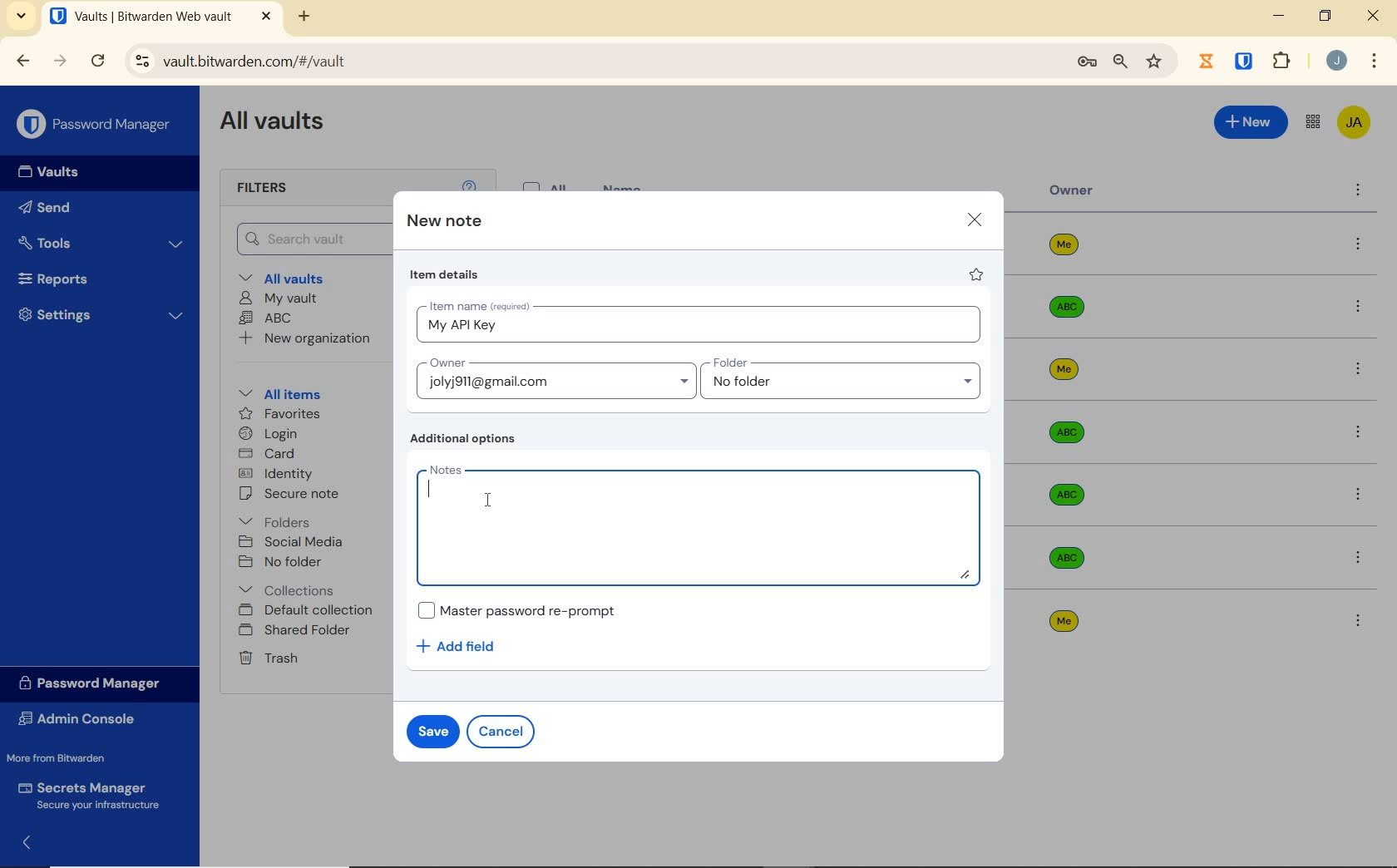 This screenshot has height=868, width=1397. Describe the element at coordinates (429, 491) in the screenshot. I see `editor` at that location.